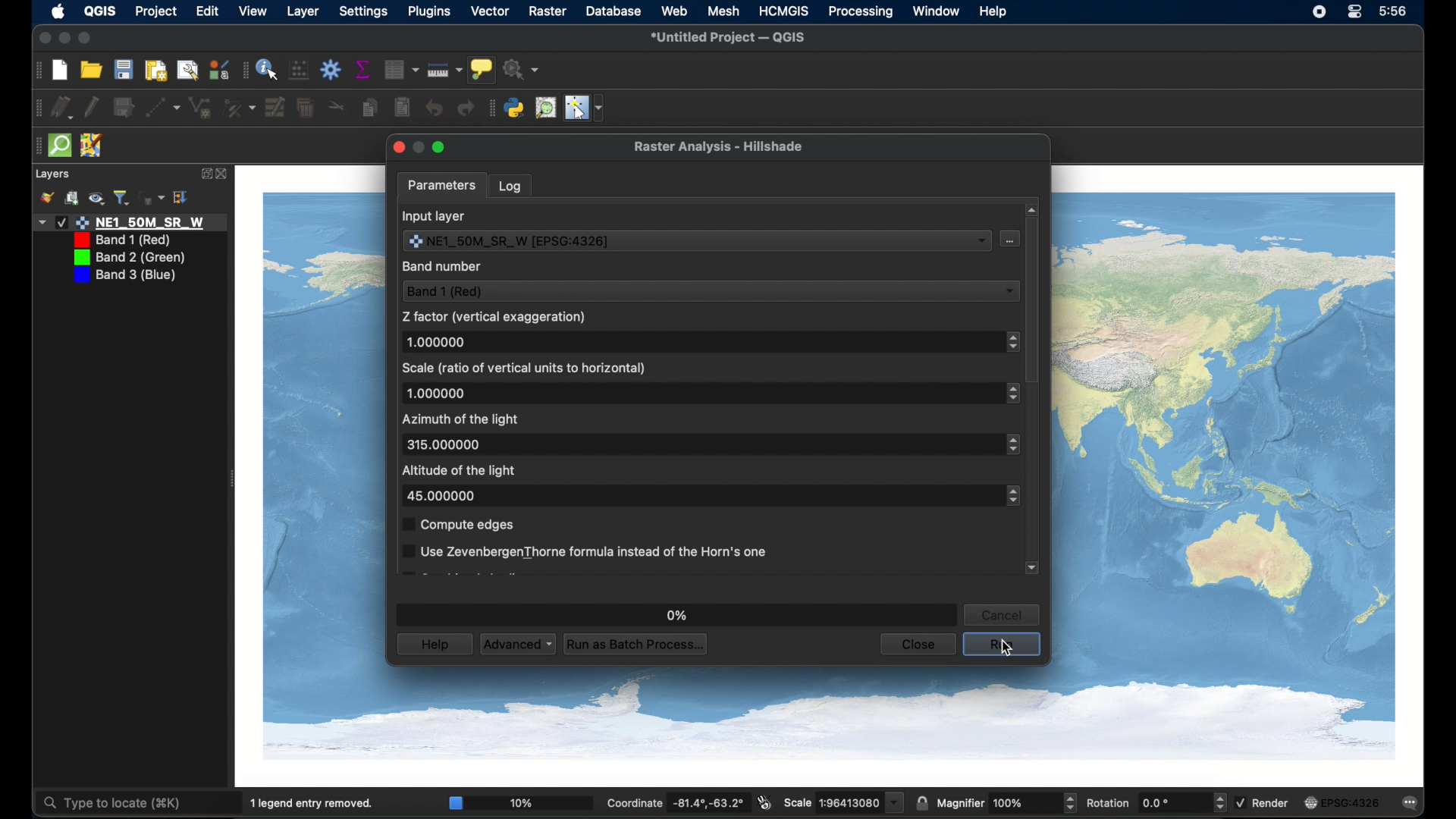  I want to click on advanced, so click(518, 642).